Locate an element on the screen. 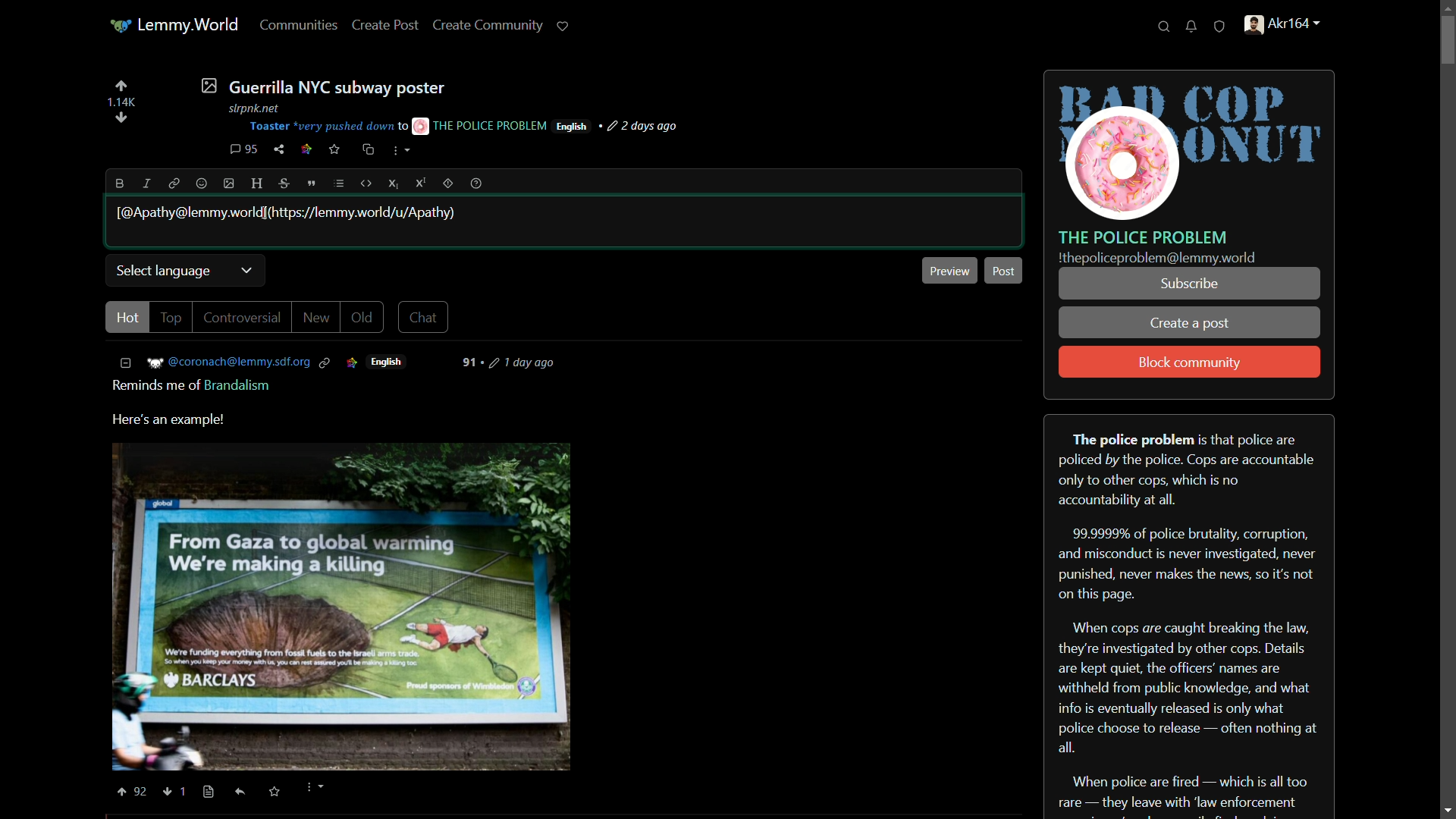  THE POLICE PROBLEM is located at coordinates (481, 125).